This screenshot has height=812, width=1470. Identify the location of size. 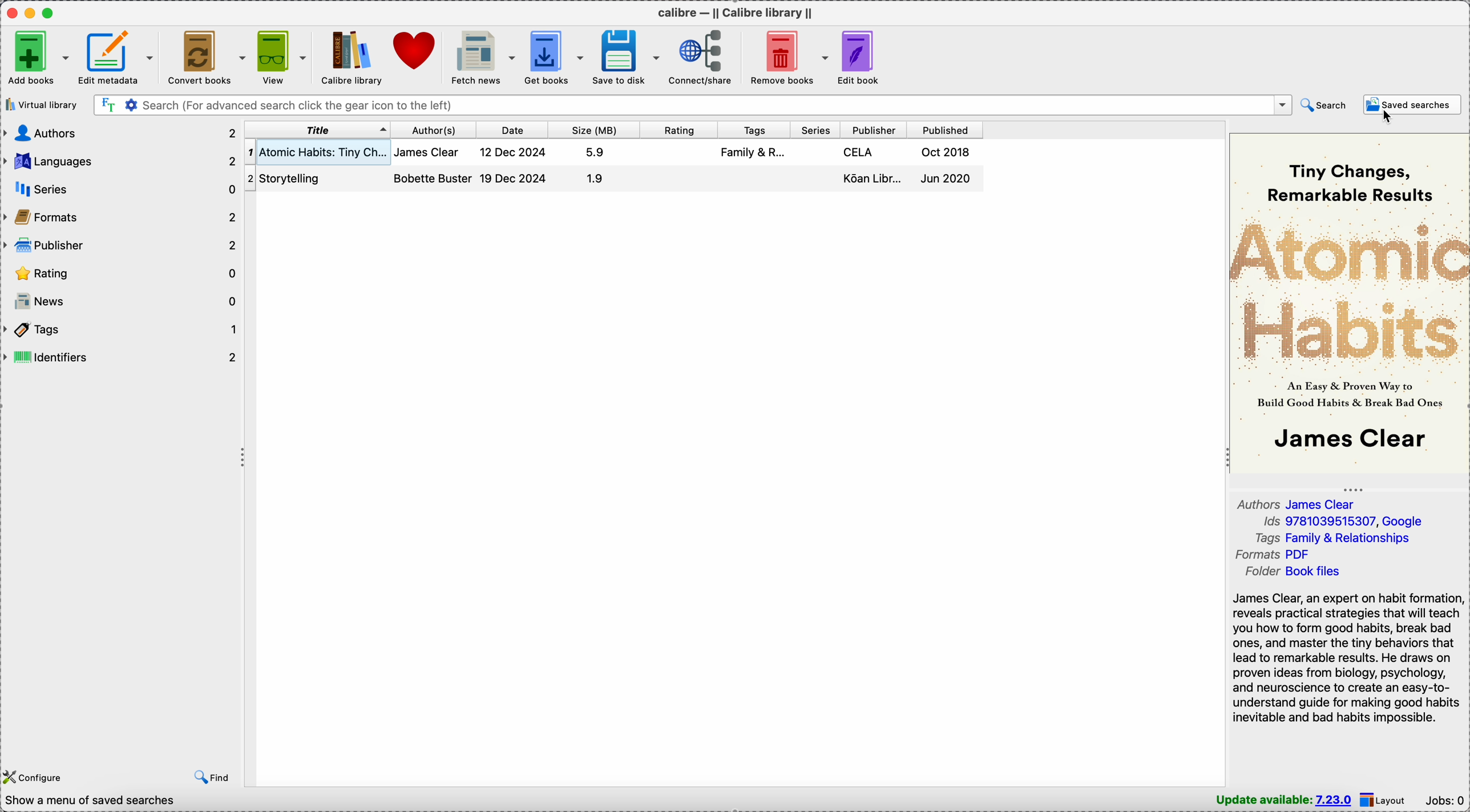
(592, 130).